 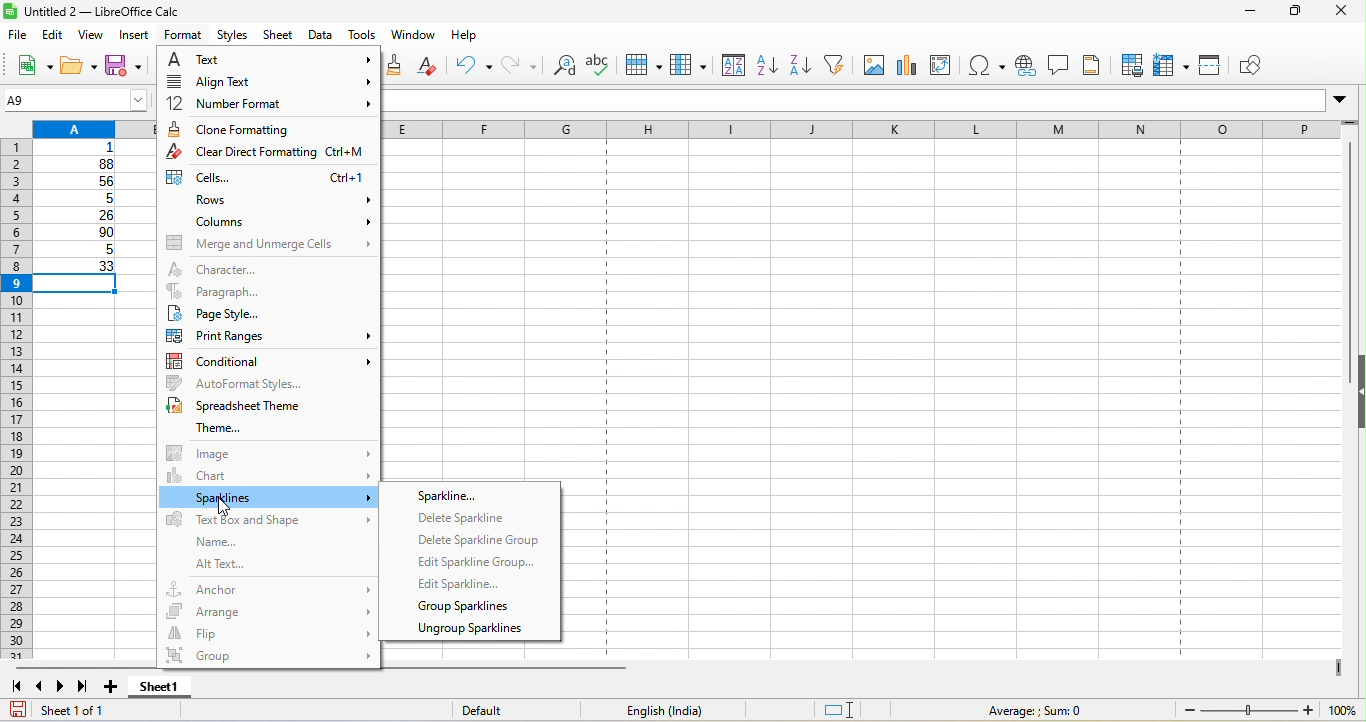 What do you see at coordinates (269, 154) in the screenshot?
I see `clear direct formatting  Ctrl+M` at bounding box center [269, 154].